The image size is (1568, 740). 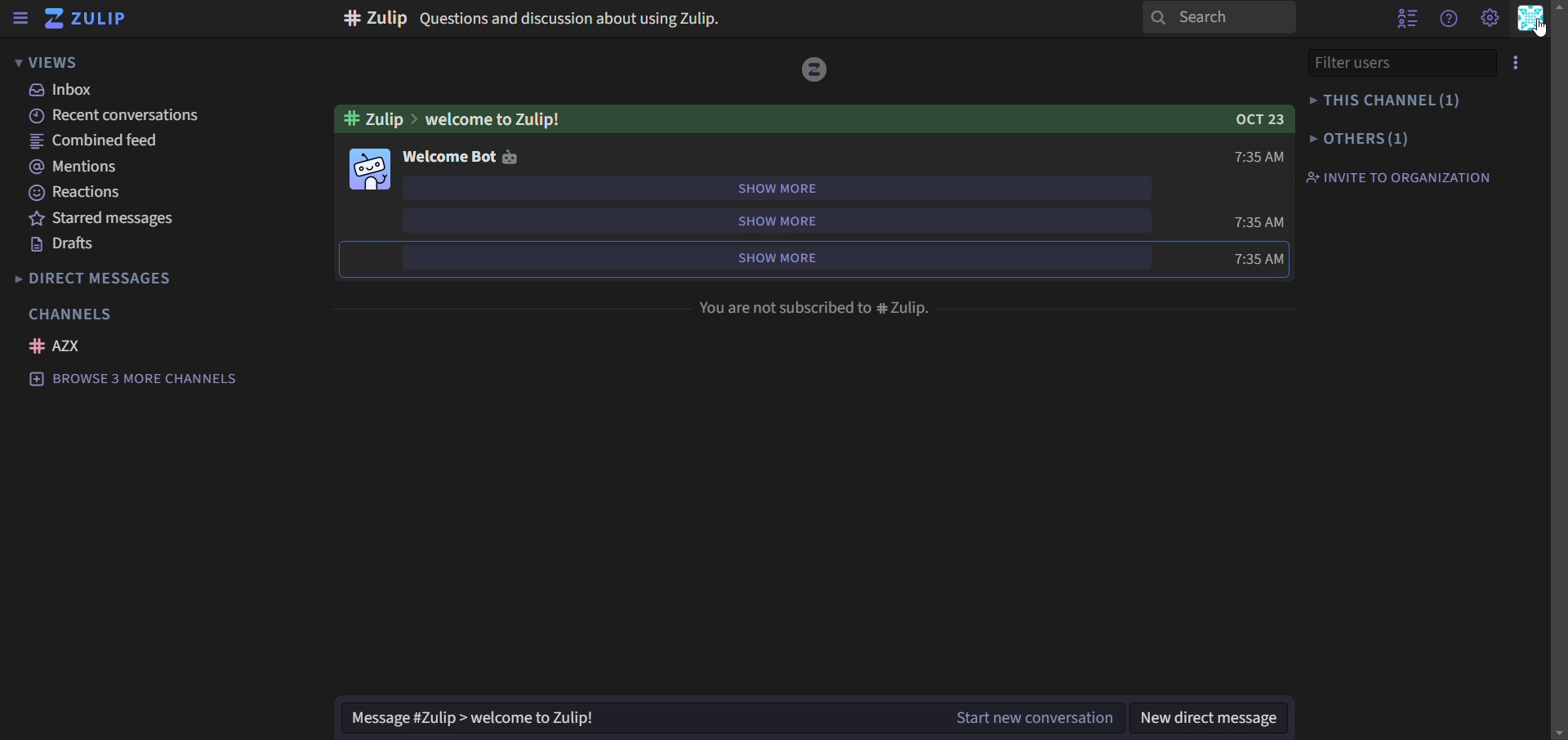 I want to click on Question and discussion about using Zulip., so click(x=532, y=19).